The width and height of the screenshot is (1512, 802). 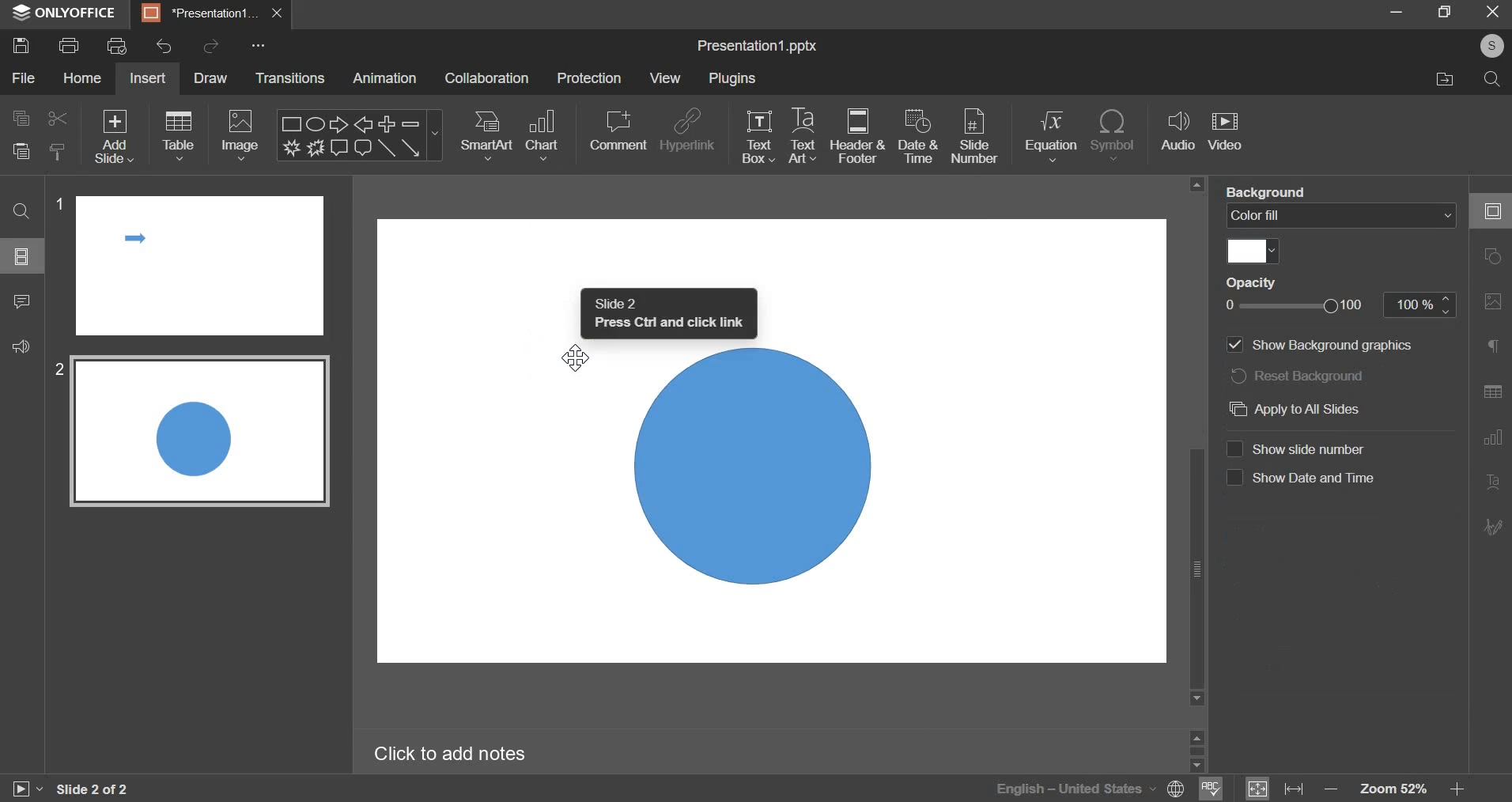 What do you see at coordinates (1496, 392) in the screenshot?
I see `Table settings` at bounding box center [1496, 392].